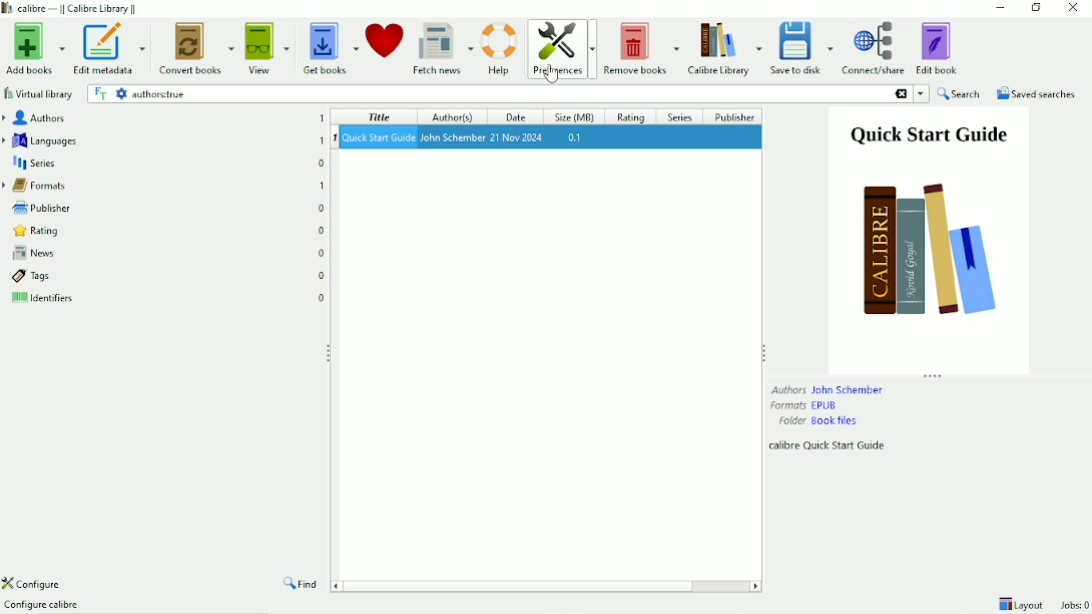 The width and height of the screenshot is (1092, 614). Describe the element at coordinates (844, 422) in the screenshot. I see `book files` at that location.